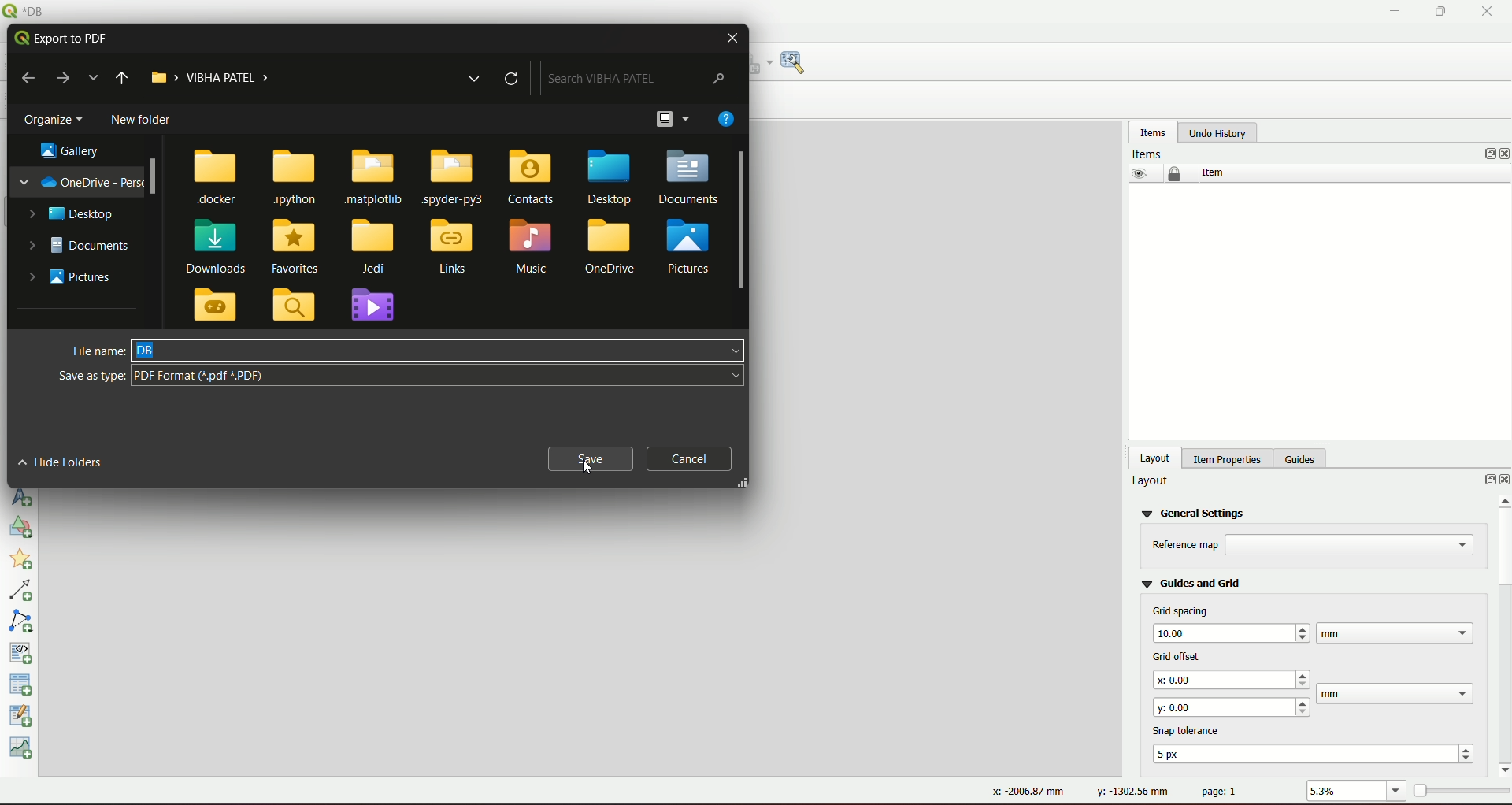  I want to click on text box, so click(1395, 632).